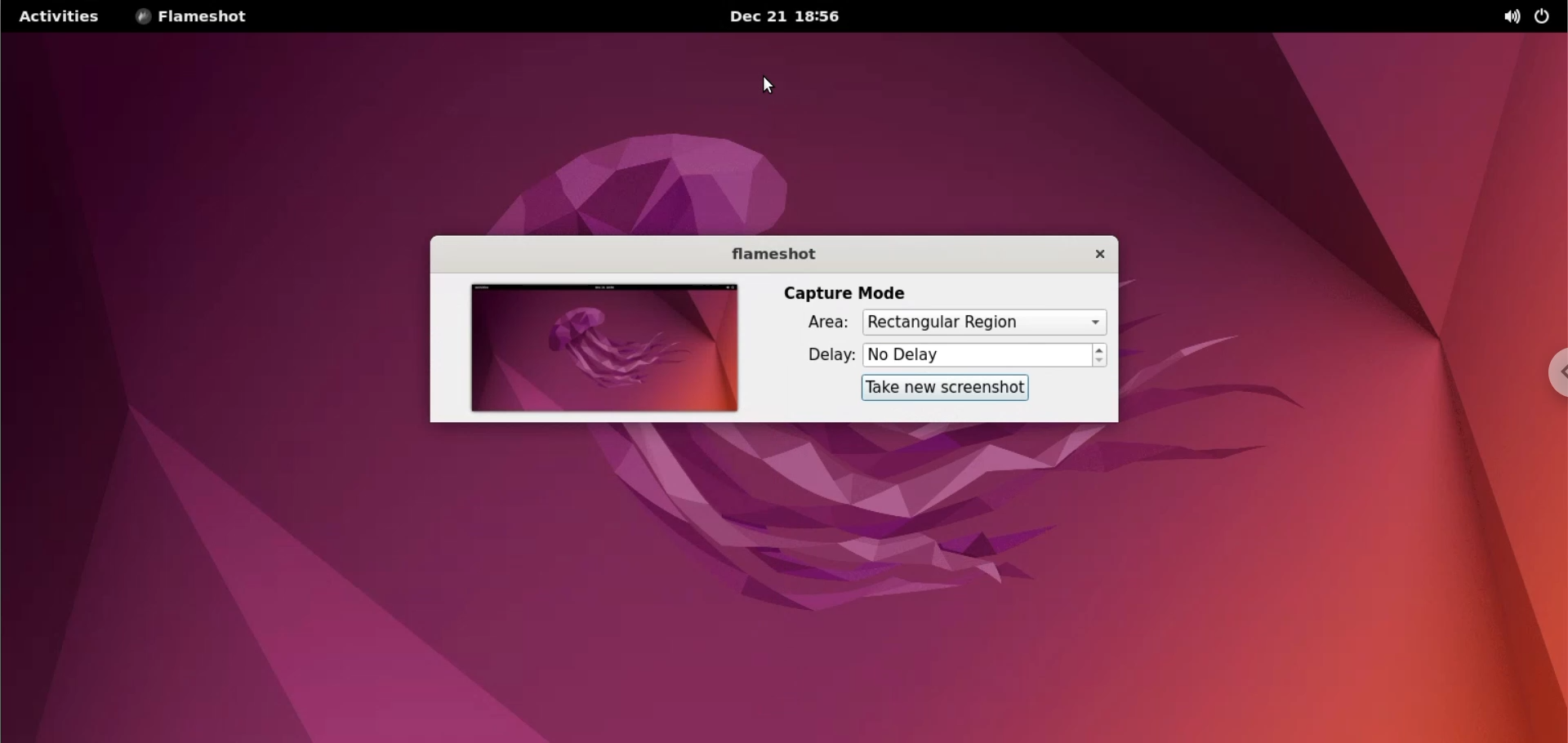 The height and width of the screenshot is (743, 1568). I want to click on power options, so click(1543, 17).